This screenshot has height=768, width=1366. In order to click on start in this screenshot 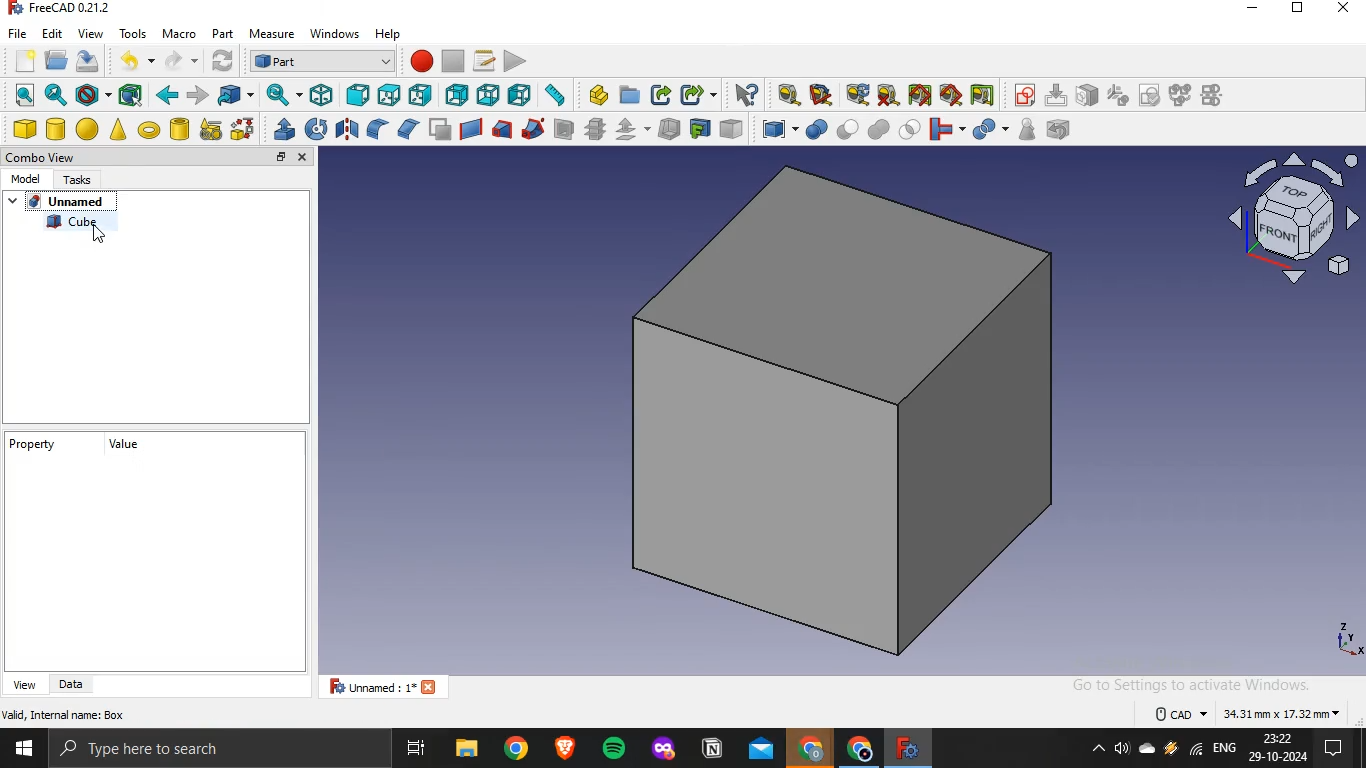, I will do `click(23, 751)`.